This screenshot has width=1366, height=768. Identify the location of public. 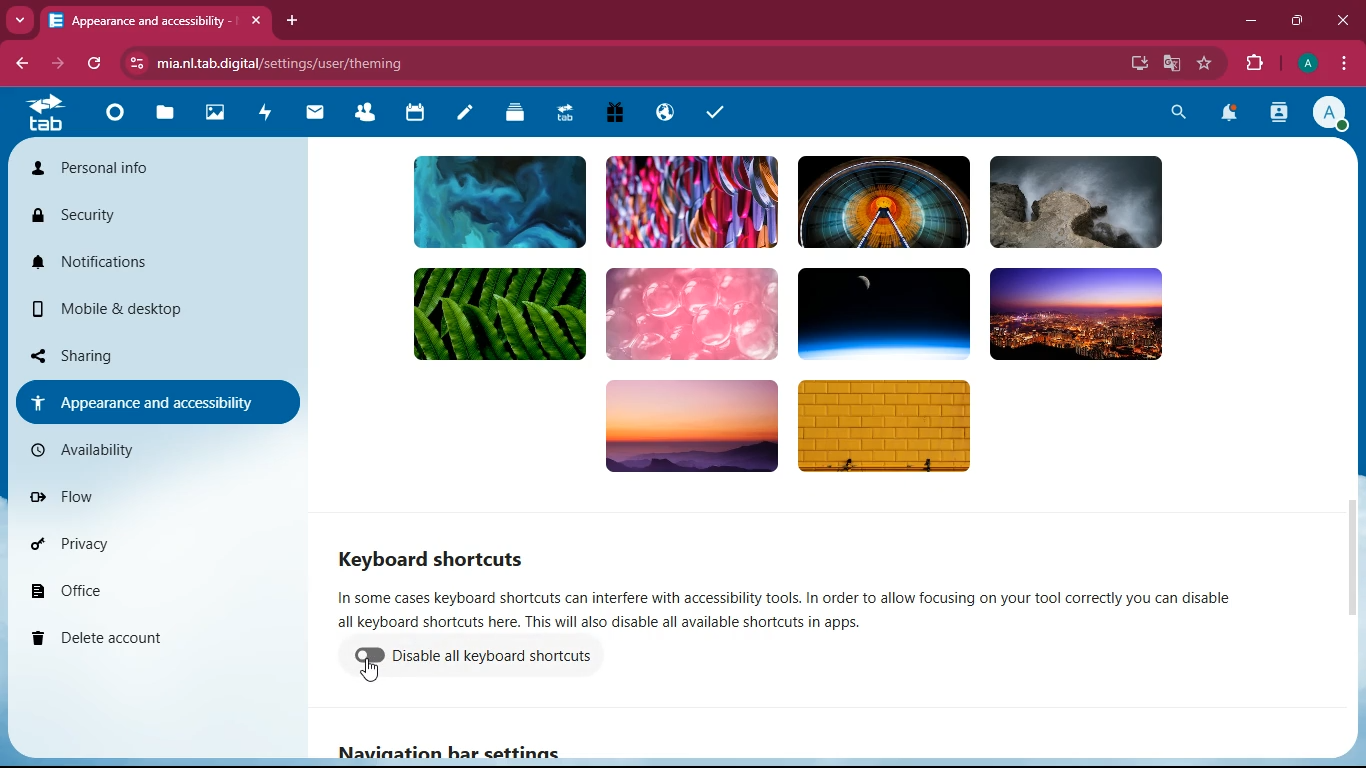
(668, 113).